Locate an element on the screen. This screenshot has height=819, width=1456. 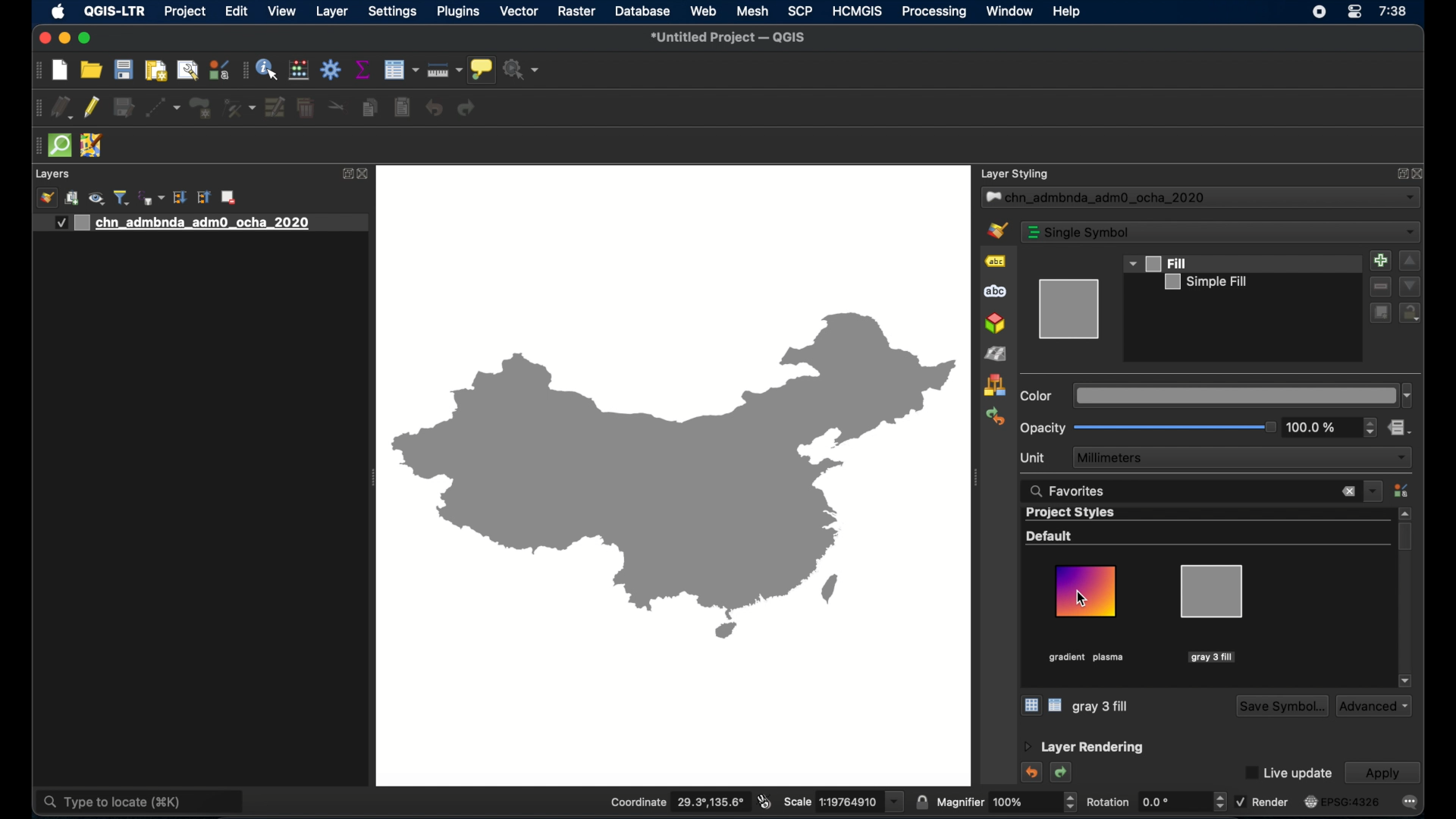
project styles is located at coordinates (1072, 513).